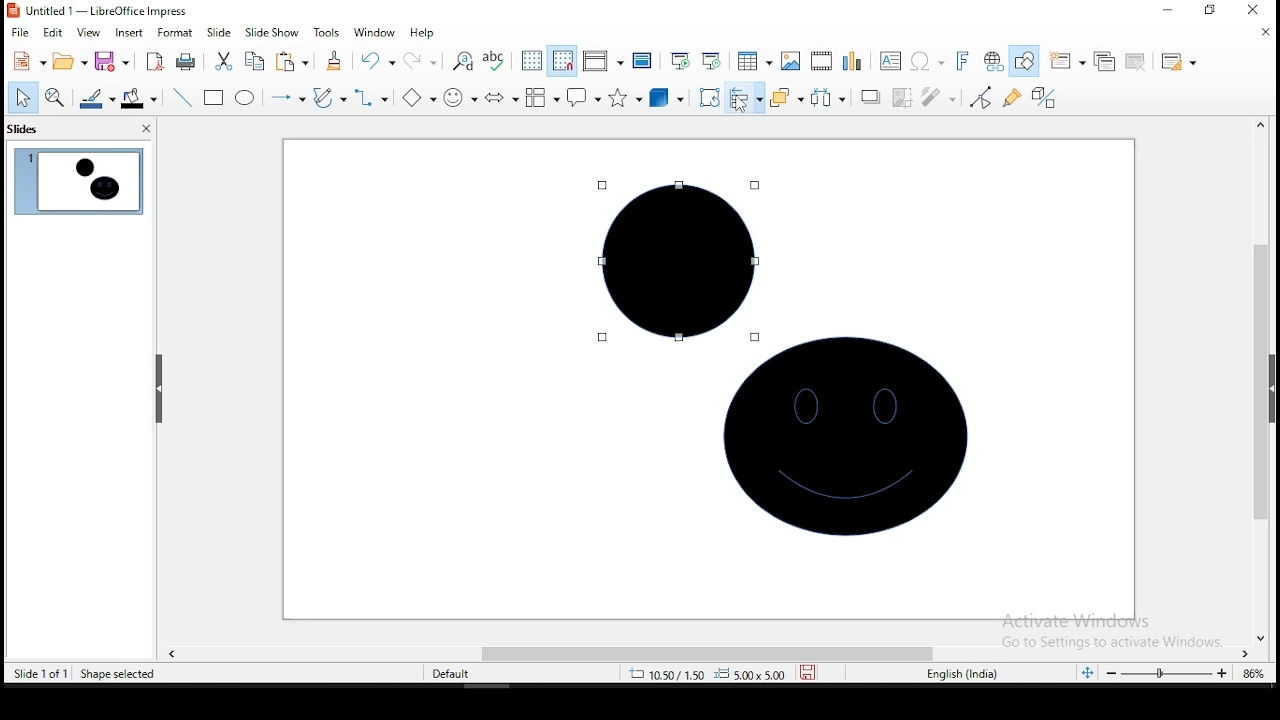  What do you see at coordinates (244, 97) in the screenshot?
I see `ellipse` at bounding box center [244, 97].